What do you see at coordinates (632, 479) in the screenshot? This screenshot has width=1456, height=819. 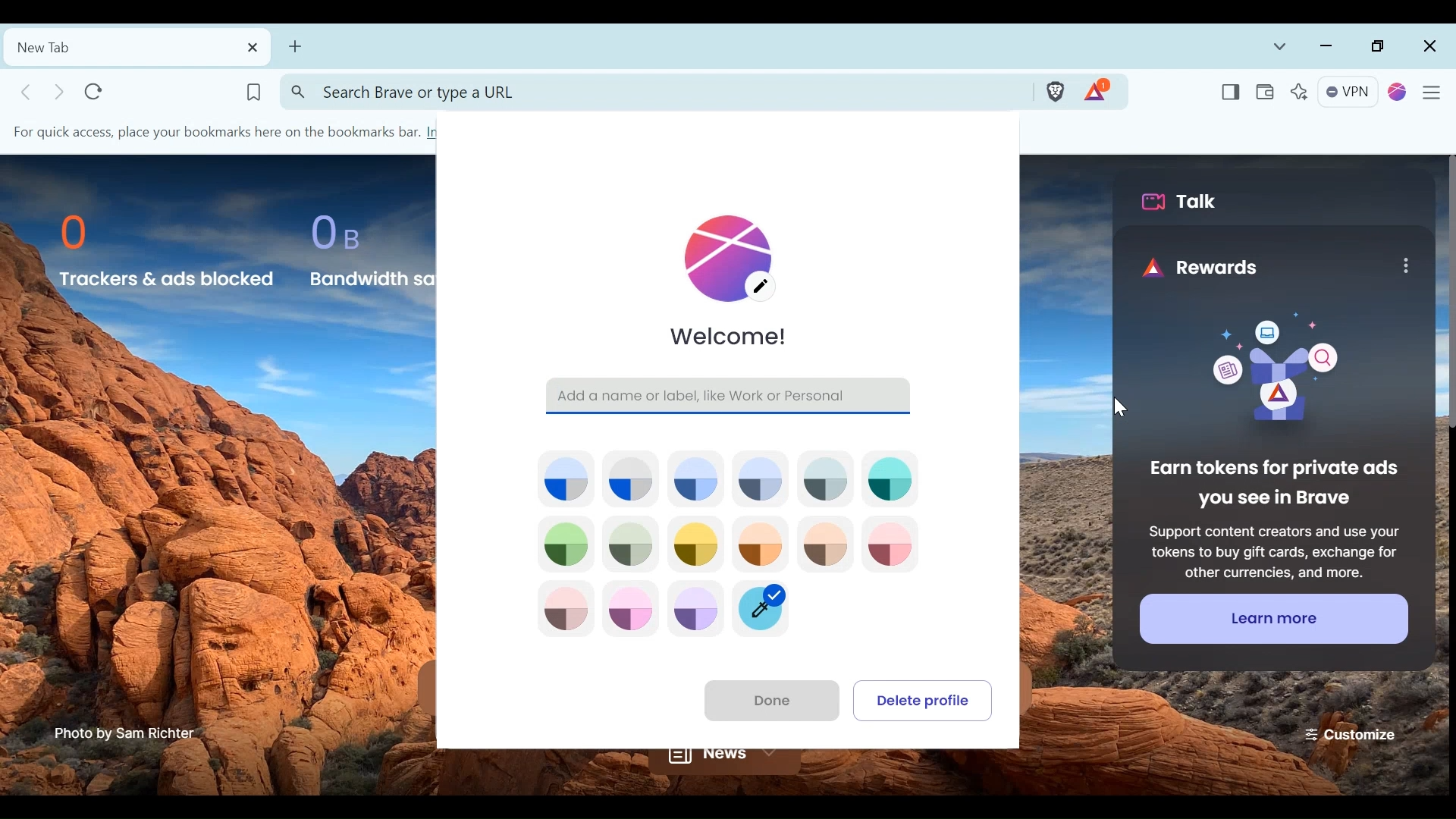 I see `Theme` at bounding box center [632, 479].